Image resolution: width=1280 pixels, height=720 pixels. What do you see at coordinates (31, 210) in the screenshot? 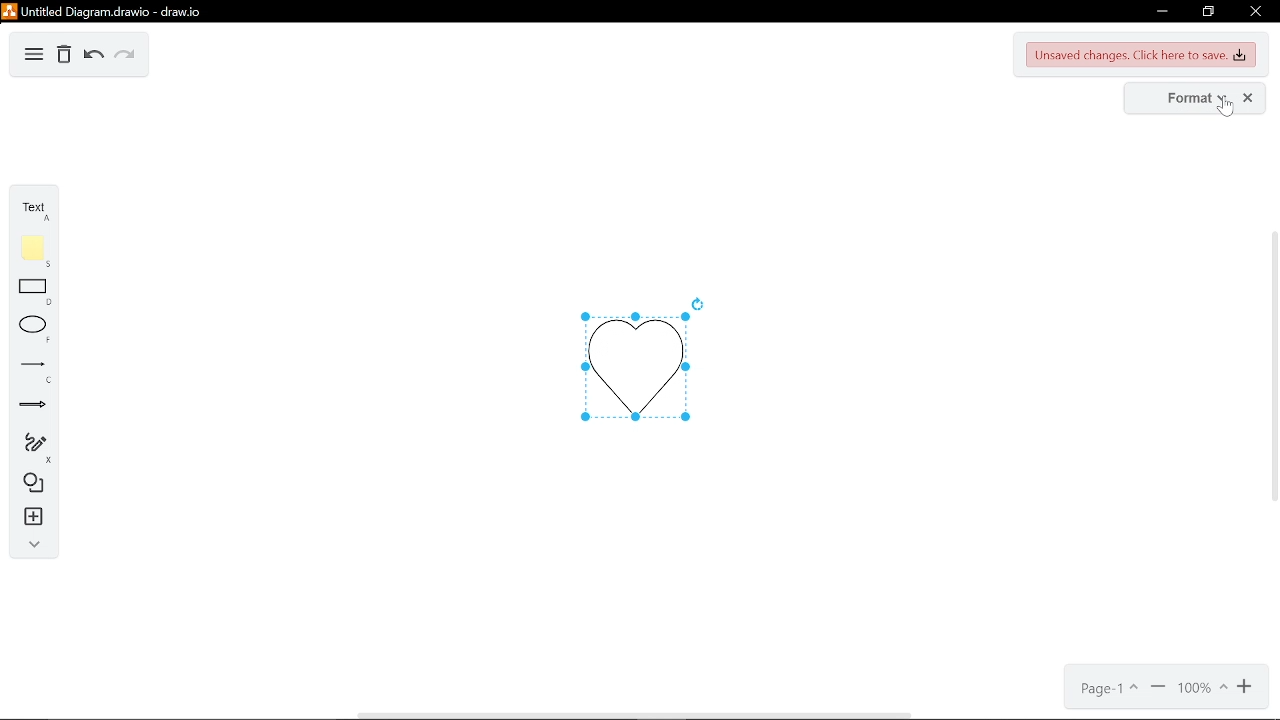
I see `text` at bounding box center [31, 210].